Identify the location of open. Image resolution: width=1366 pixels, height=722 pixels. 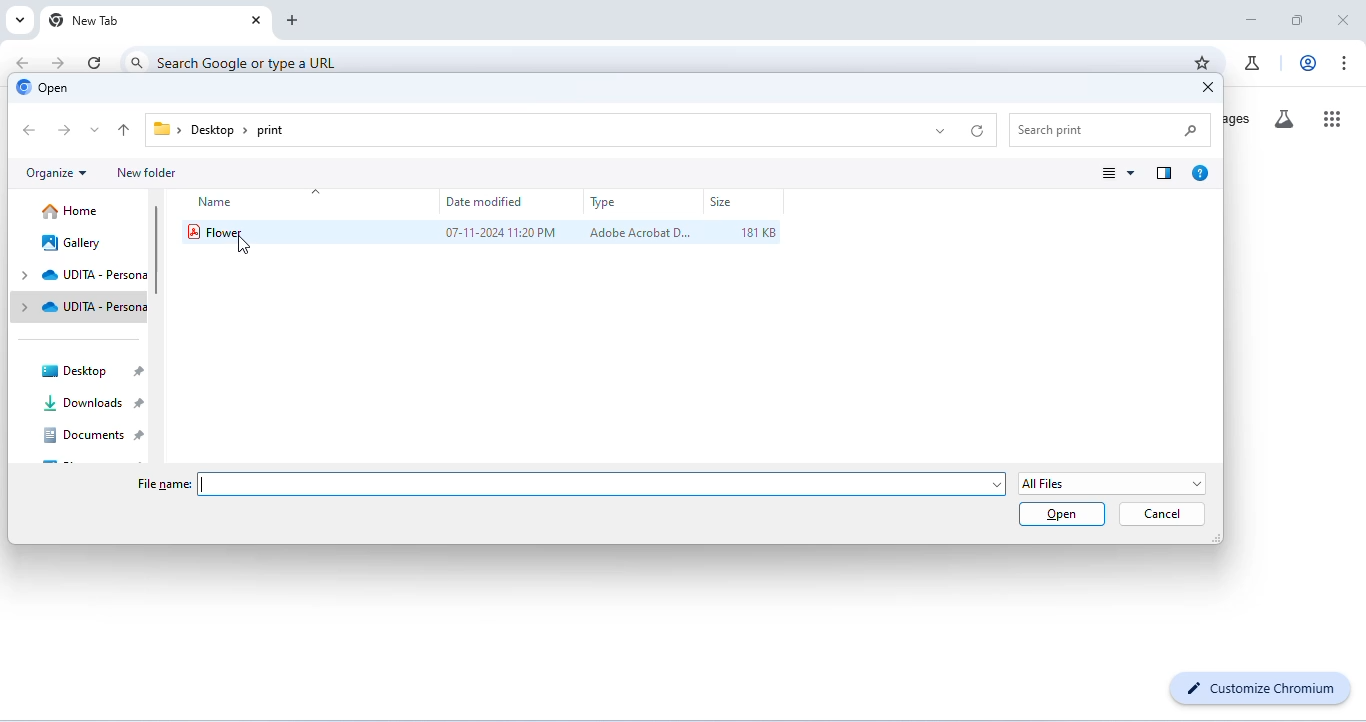
(1062, 515).